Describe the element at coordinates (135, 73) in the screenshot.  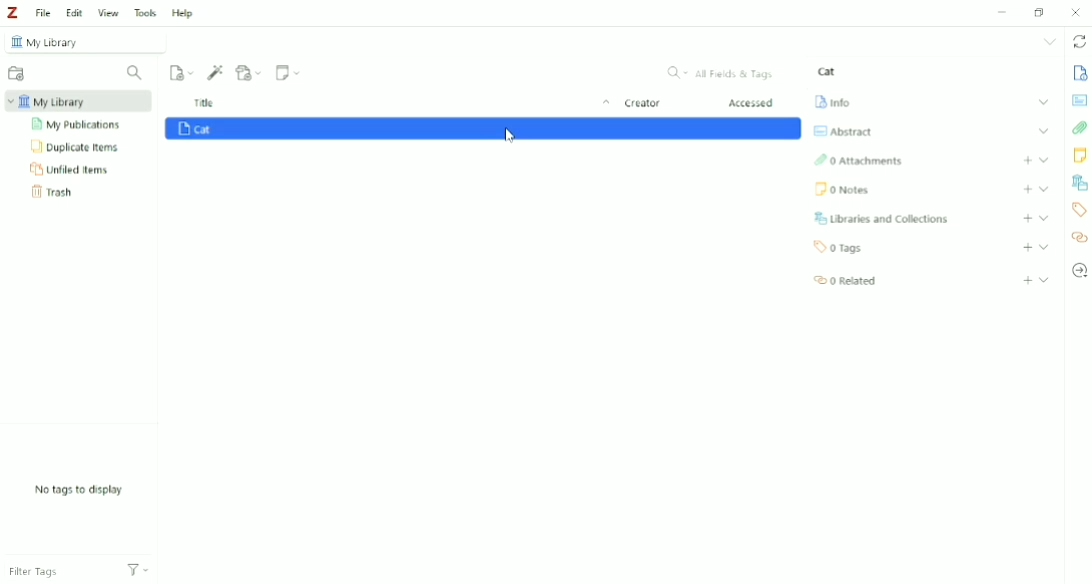
I see `Filter Collections` at that location.